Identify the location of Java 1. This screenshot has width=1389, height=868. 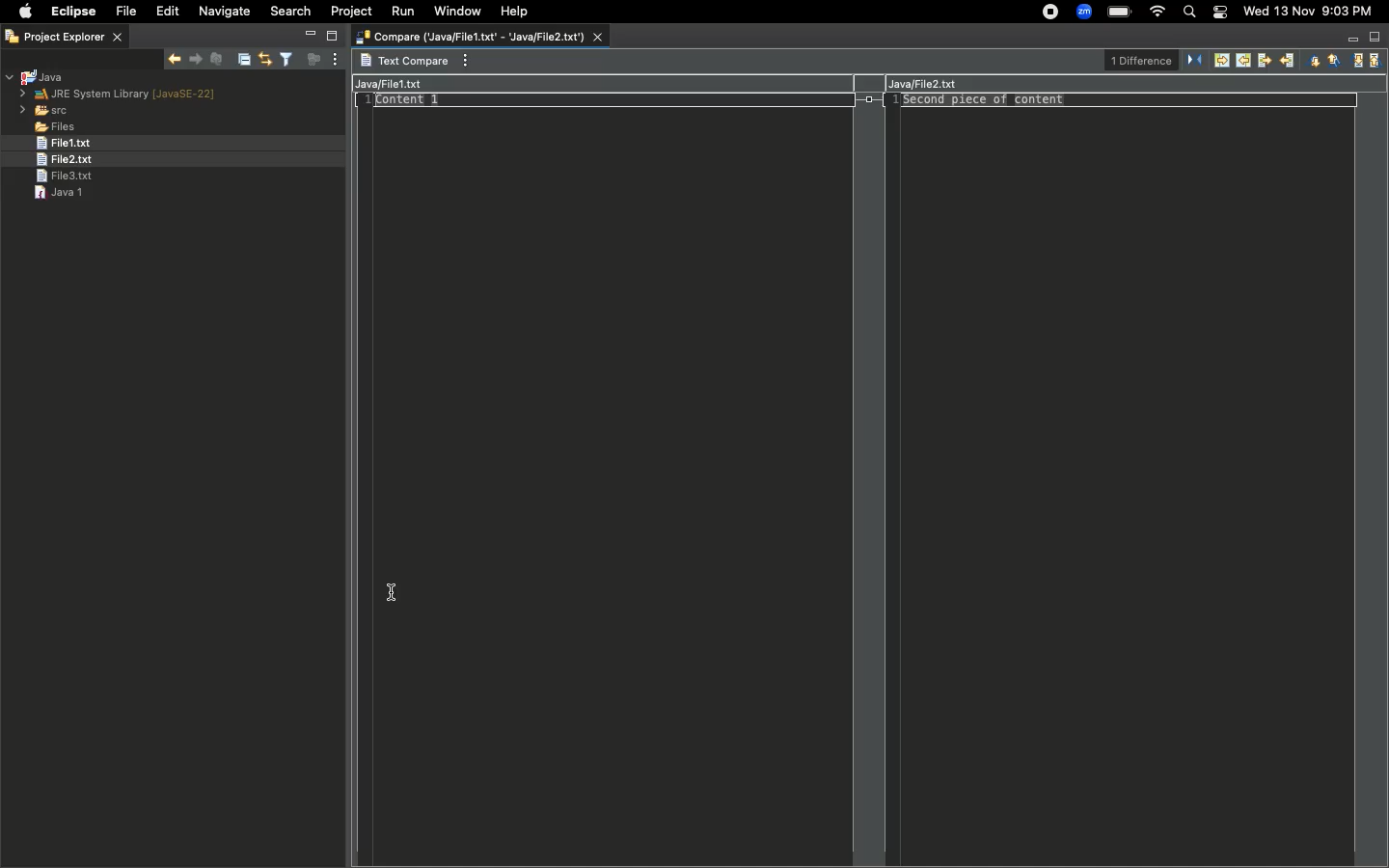
(58, 192).